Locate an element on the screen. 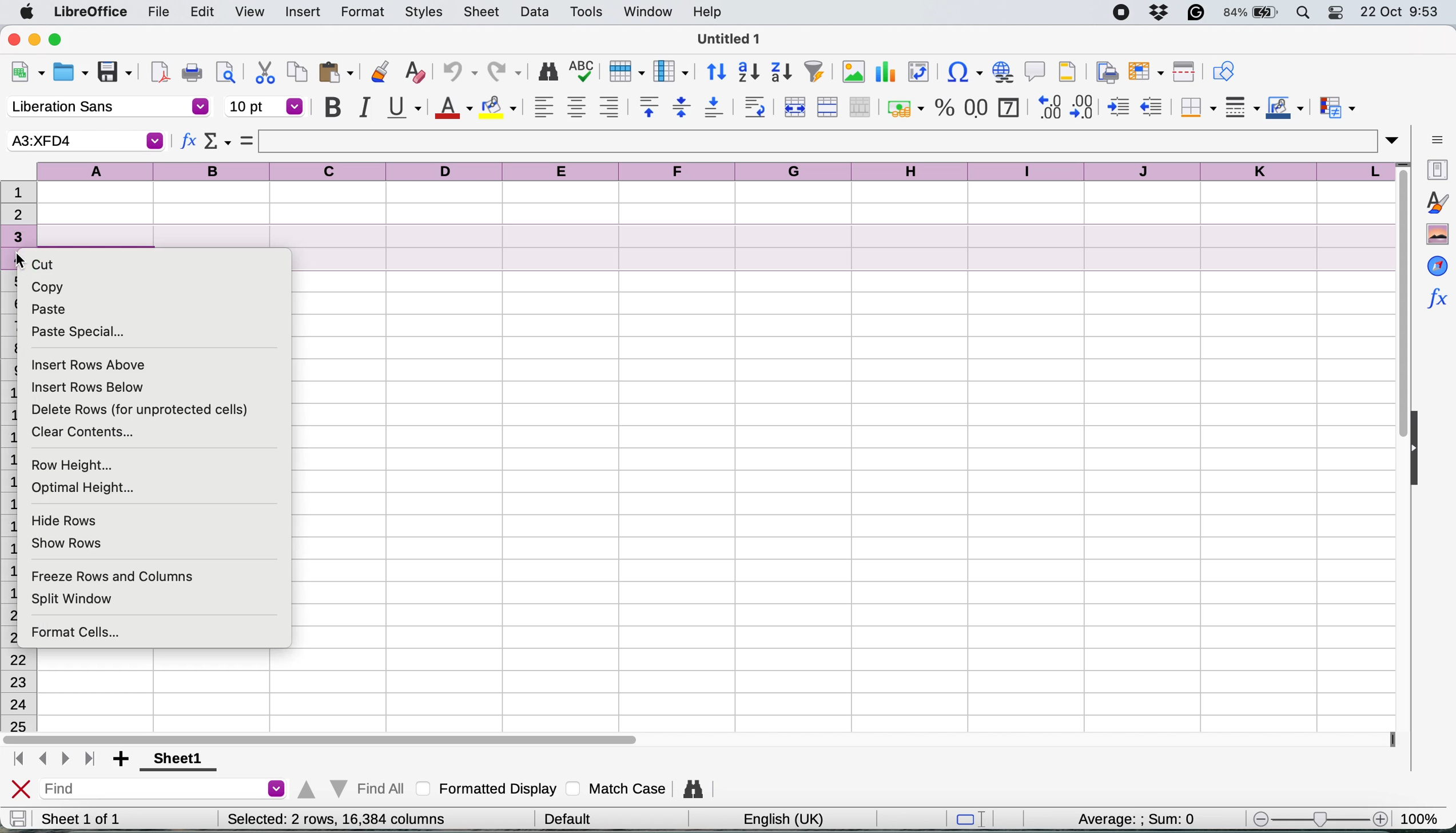  spelling is located at coordinates (583, 73).